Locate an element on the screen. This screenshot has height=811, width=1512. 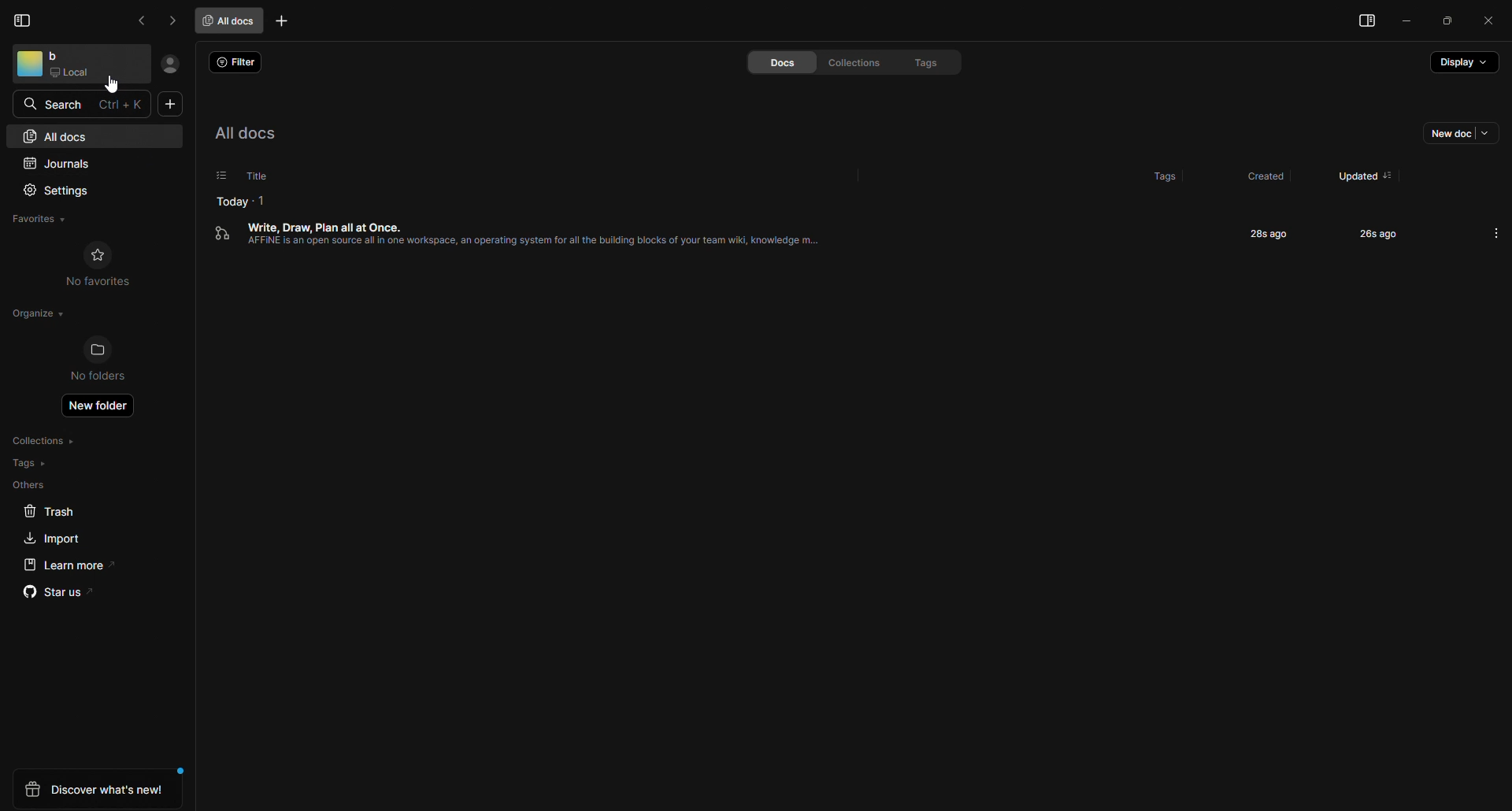
today is located at coordinates (232, 199).